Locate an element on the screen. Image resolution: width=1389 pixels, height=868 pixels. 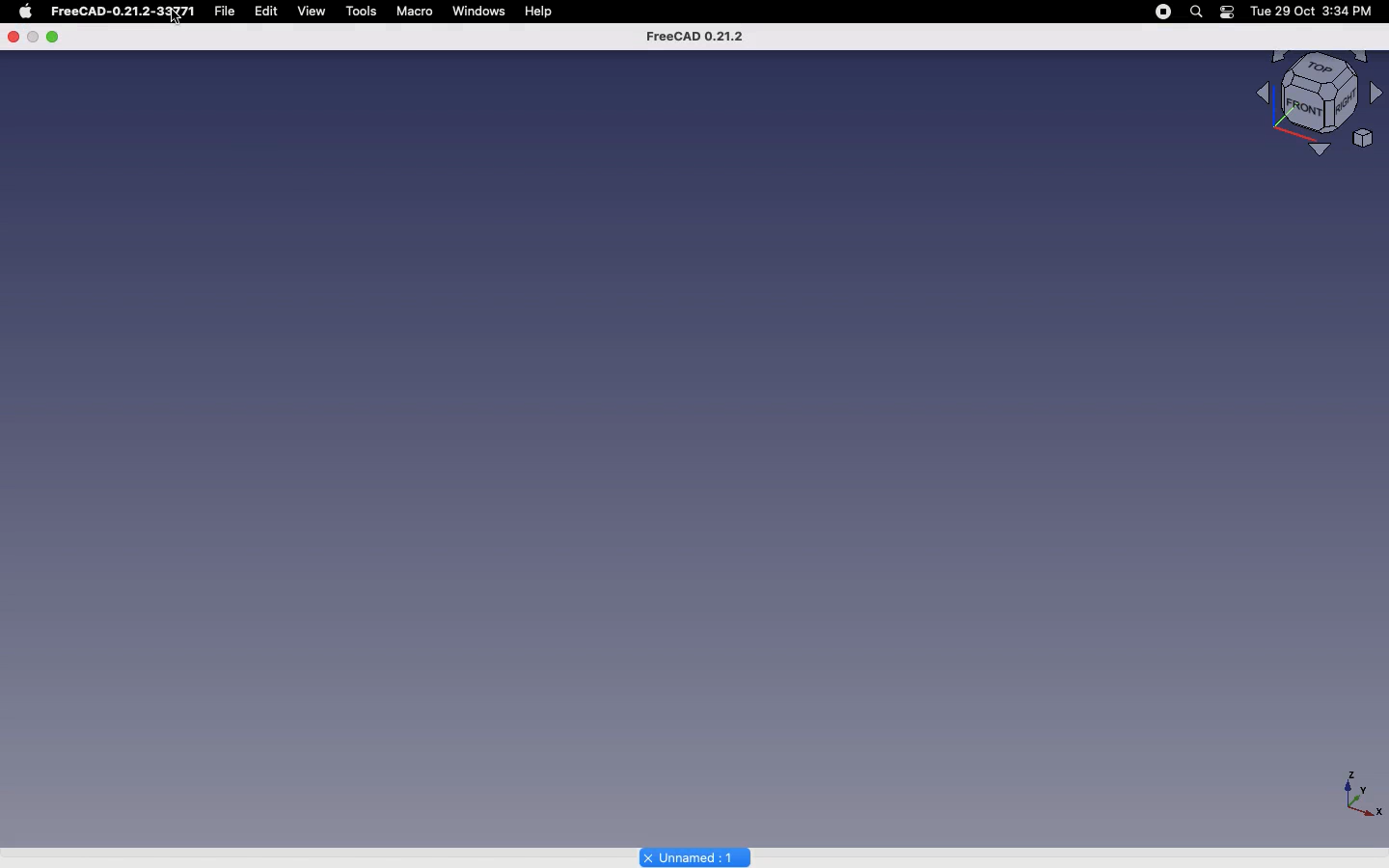
Macro is located at coordinates (414, 11).